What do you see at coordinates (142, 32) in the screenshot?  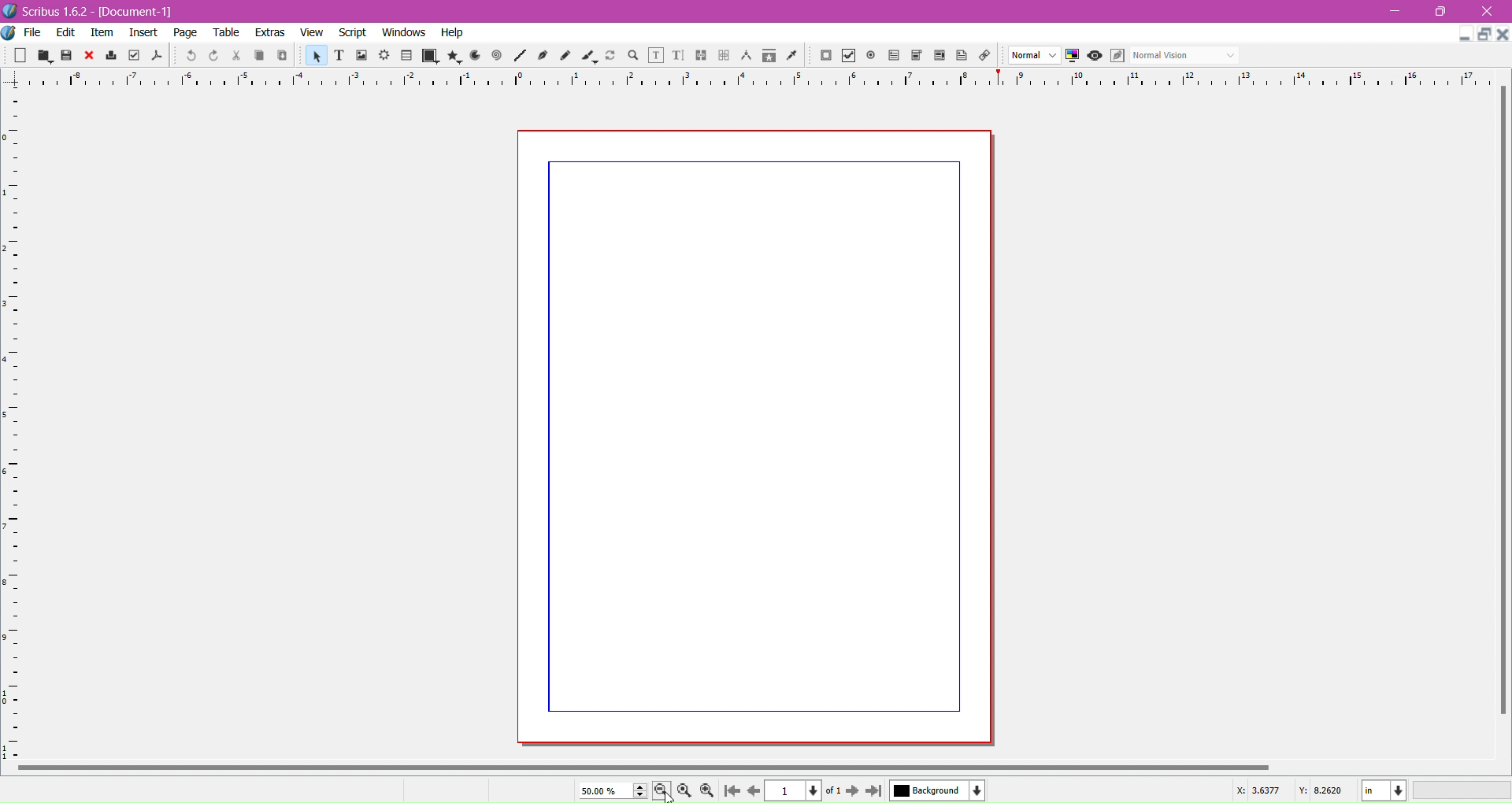 I see `Insert` at bounding box center [142, 32].